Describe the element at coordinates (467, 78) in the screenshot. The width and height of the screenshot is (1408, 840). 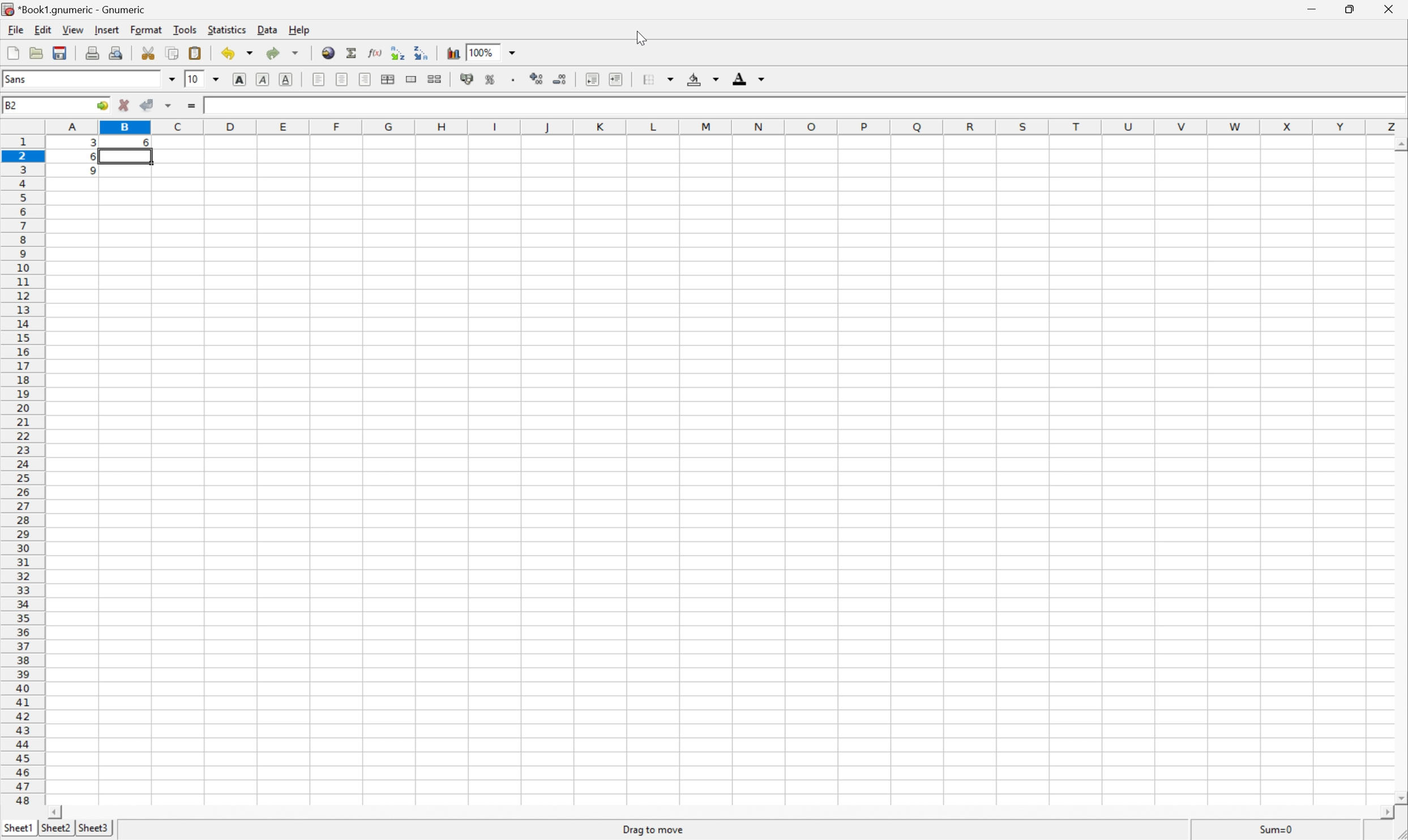
I see `Format the selection as accounting` at that location.